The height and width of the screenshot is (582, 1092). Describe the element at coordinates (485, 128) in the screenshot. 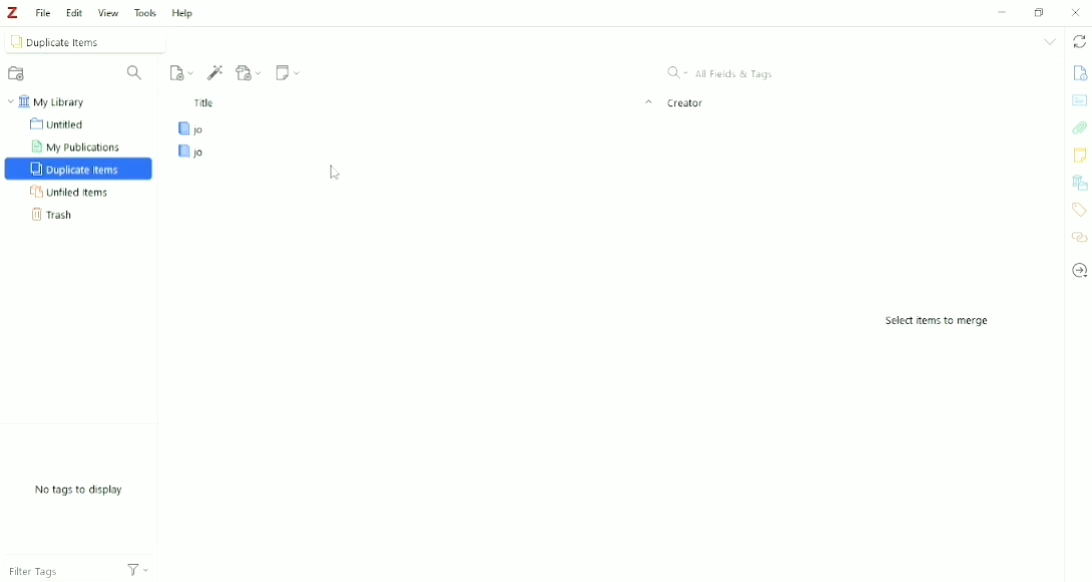

I see `jo` at that location.